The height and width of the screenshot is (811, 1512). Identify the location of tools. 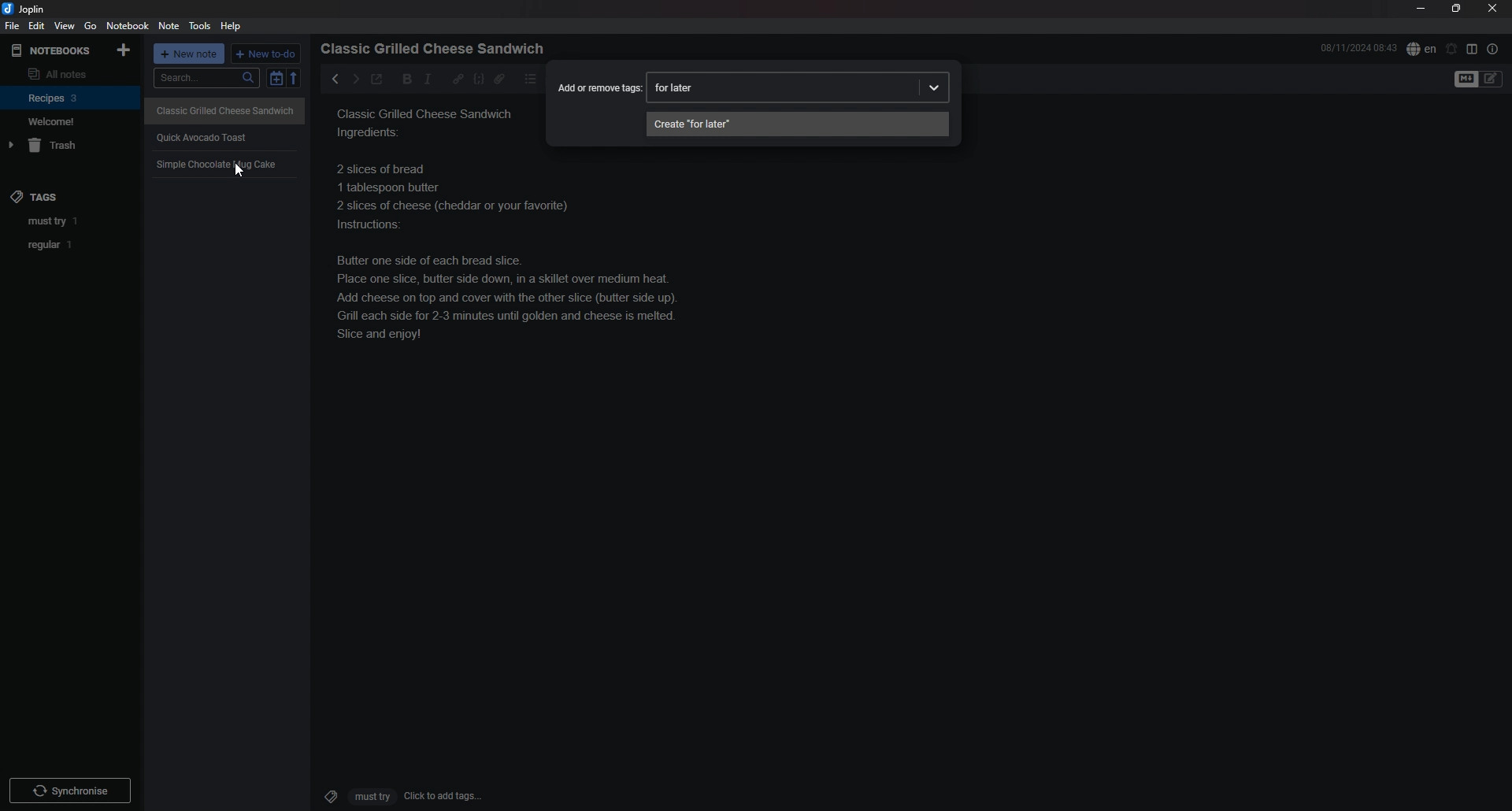
(202, 26).